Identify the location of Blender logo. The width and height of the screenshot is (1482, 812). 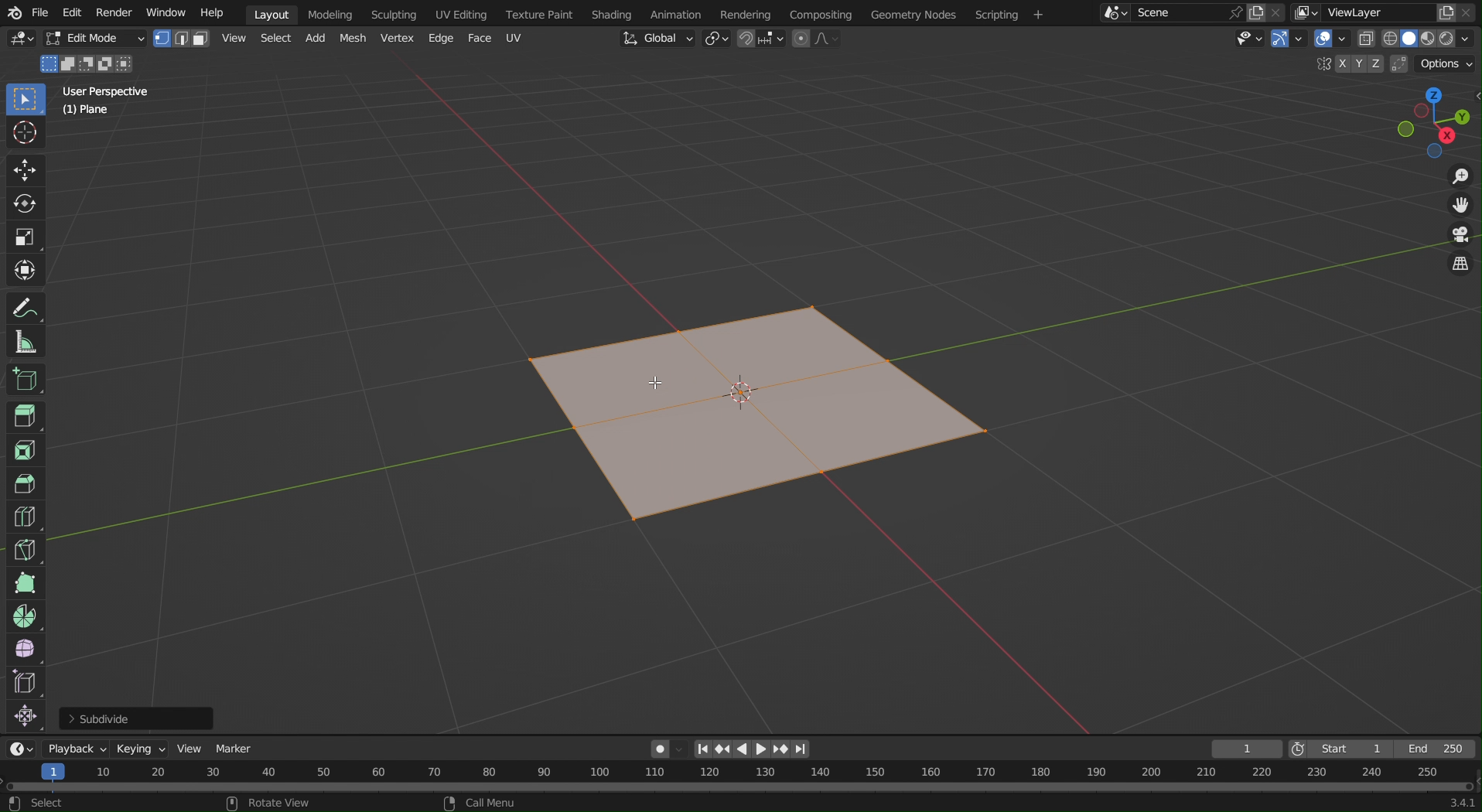
(13, 12).